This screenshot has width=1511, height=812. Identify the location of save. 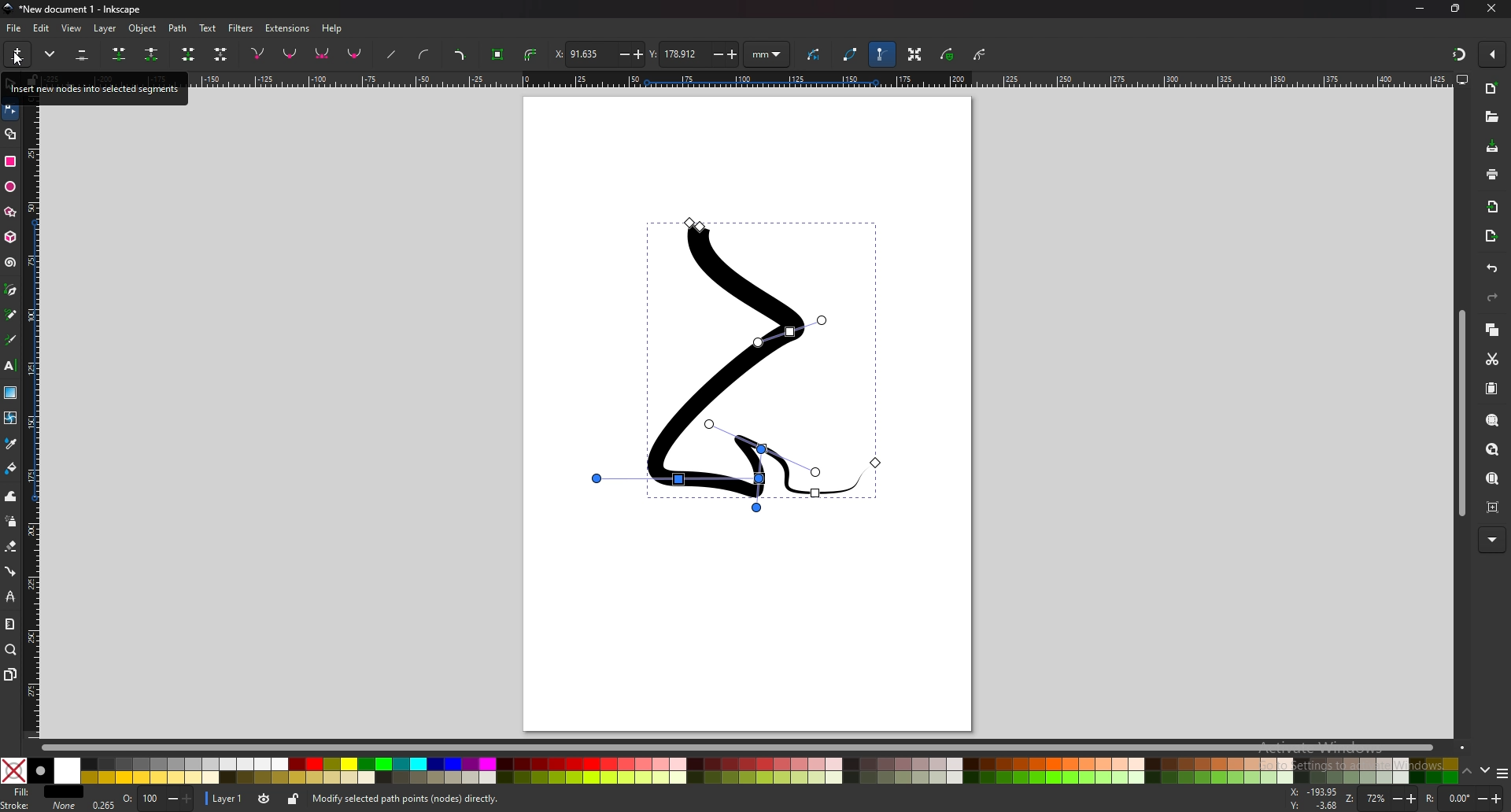
(1491, 148).